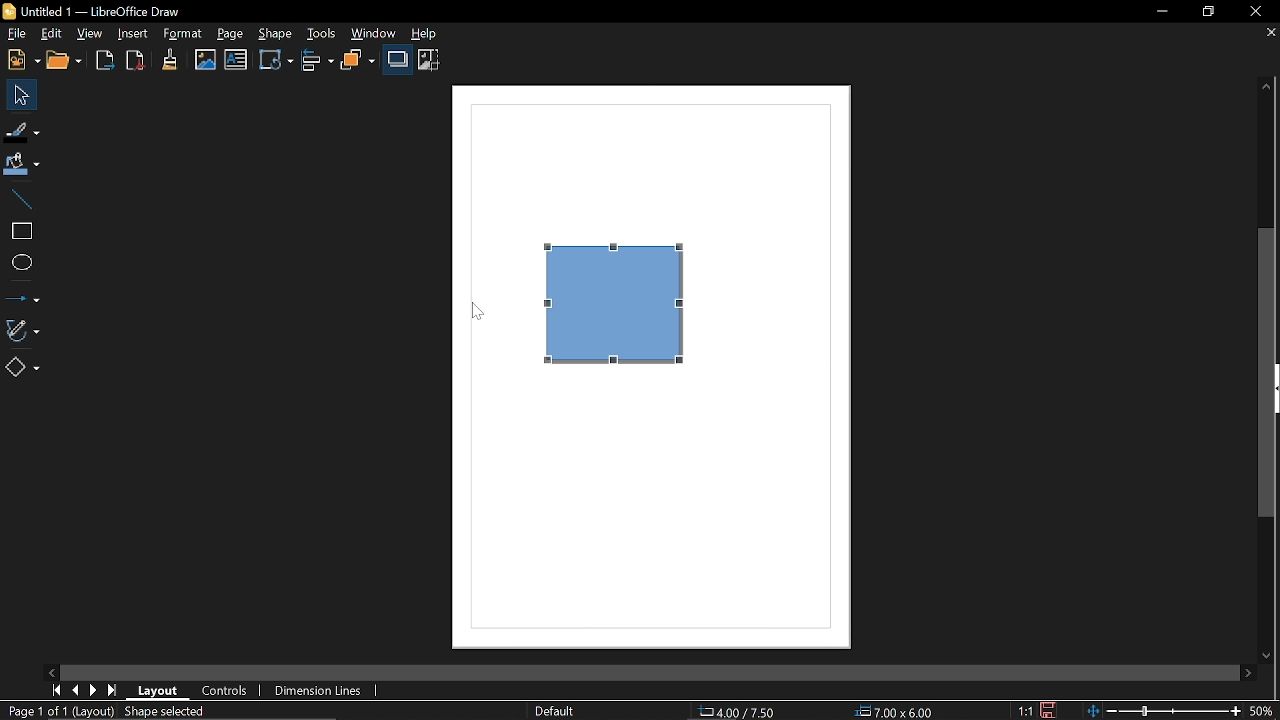 Image resolution: width=1280 pixels, height=720 pixels. I want to click on Ellipse, so click(20, 262).